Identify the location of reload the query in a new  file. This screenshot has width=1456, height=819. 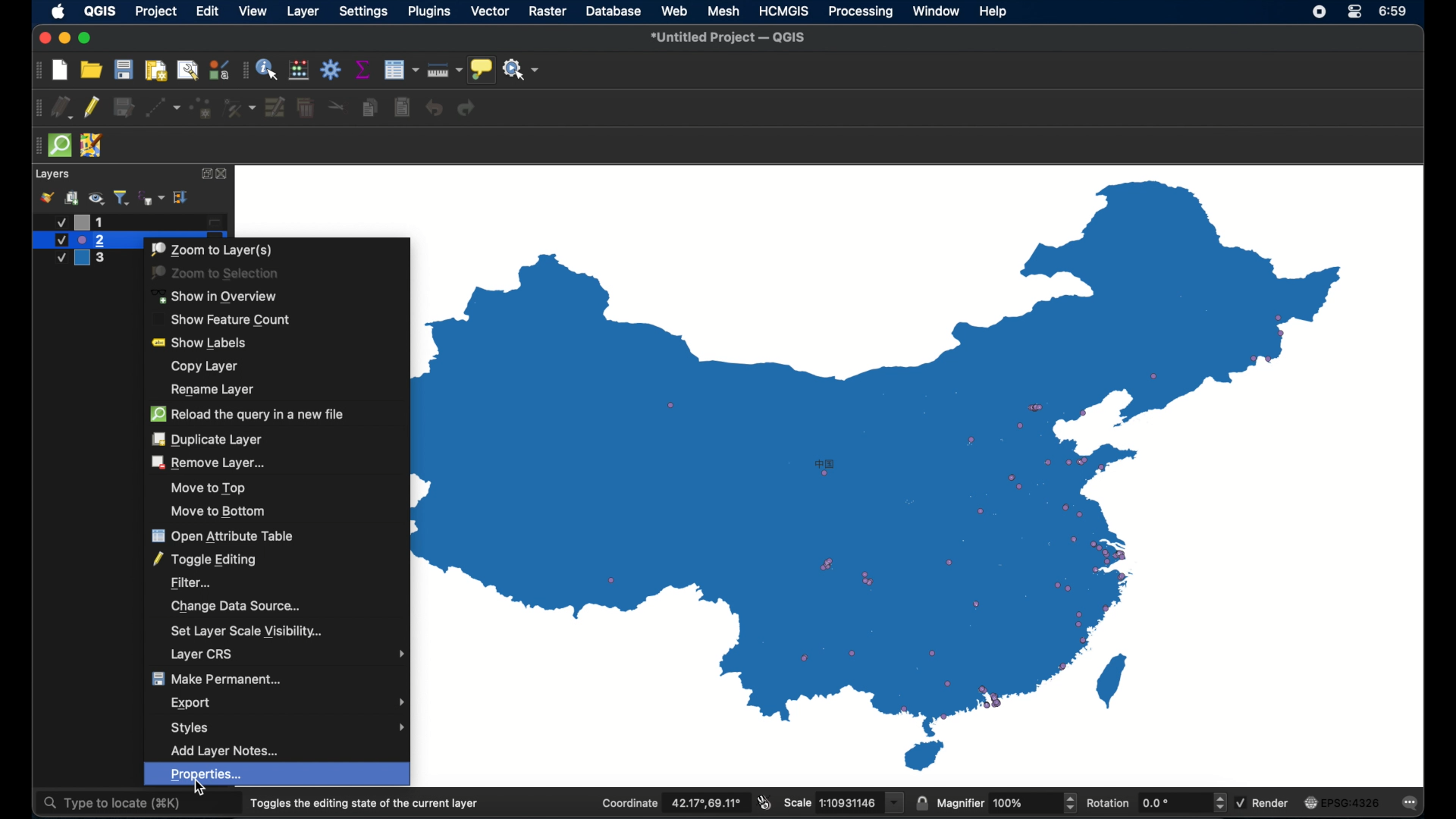
(246, 413).